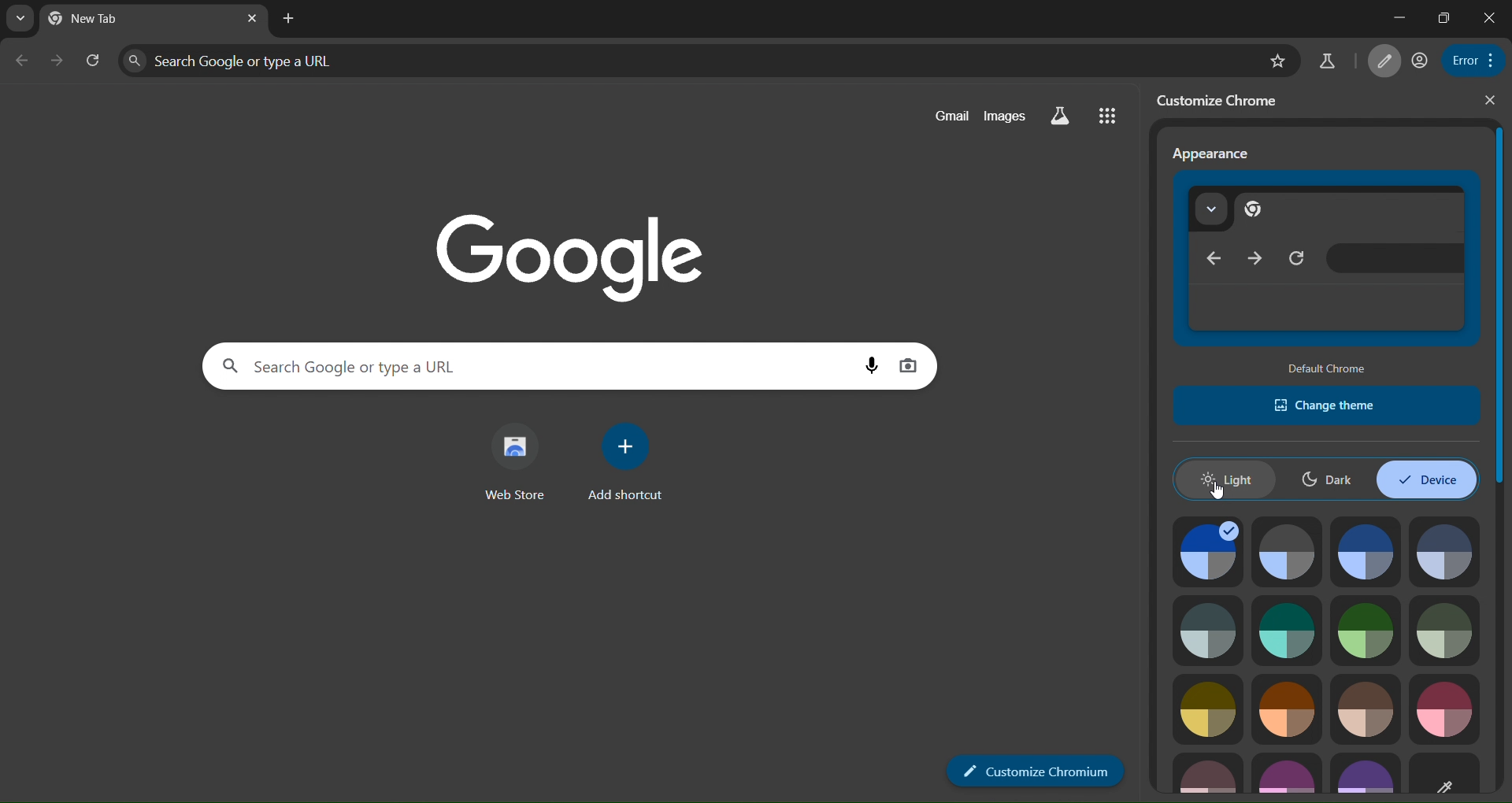 The width and height of the screenshot is (1512, 803). Describe the element at coordinates (1499, 305) in the screenshot. I see `scrollbar` at that location.